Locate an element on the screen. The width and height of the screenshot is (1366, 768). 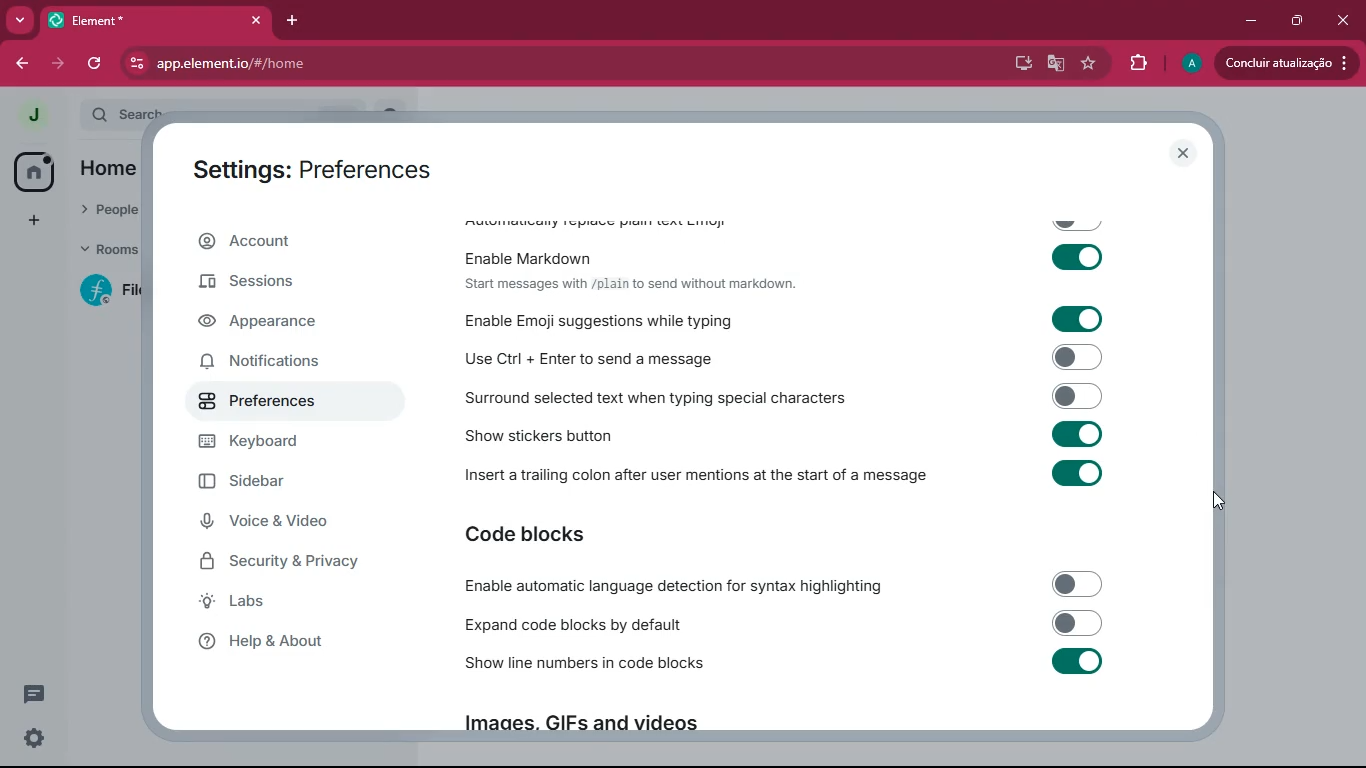
Enable automatic language detection for syntax highlighting is located at coordinates (785, 586).